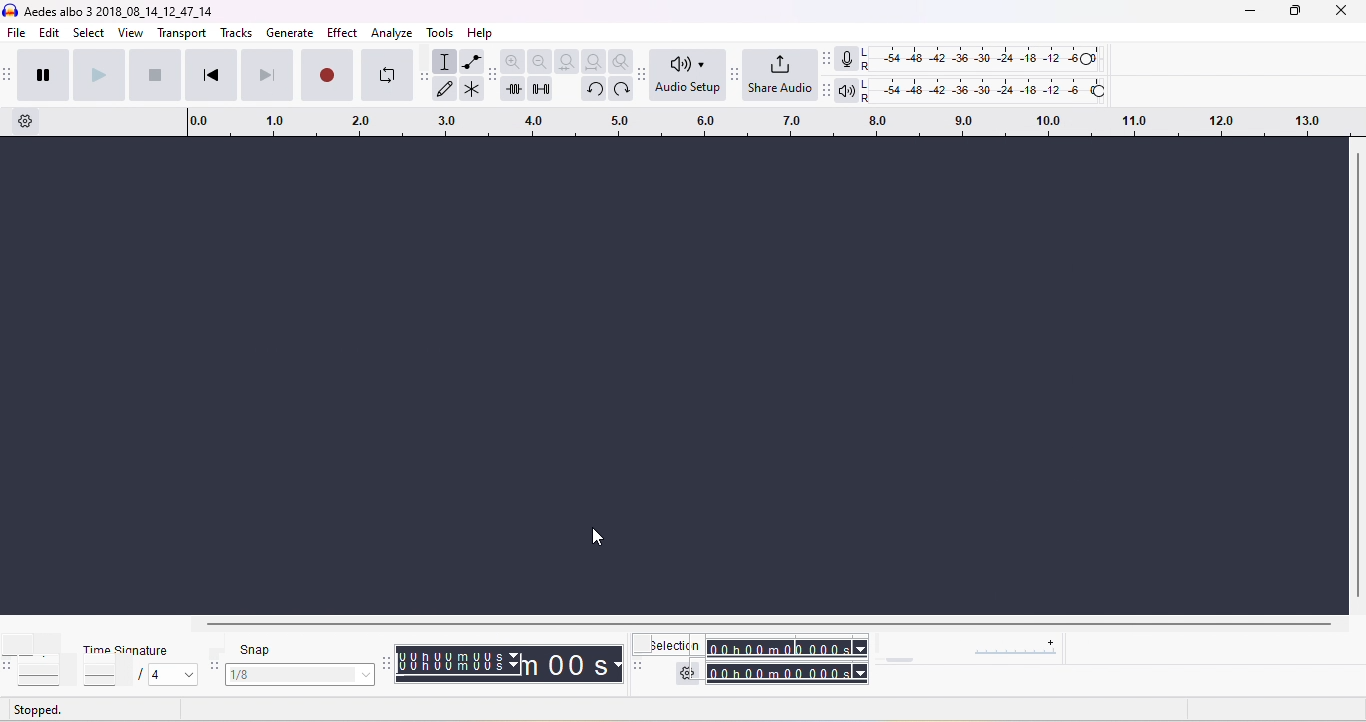 This screenshot has width=1366, height=722. What do you see at coordinates (516, 92) in the screenshot?
I see `trim outside slection` at bounding box center [516, 92].